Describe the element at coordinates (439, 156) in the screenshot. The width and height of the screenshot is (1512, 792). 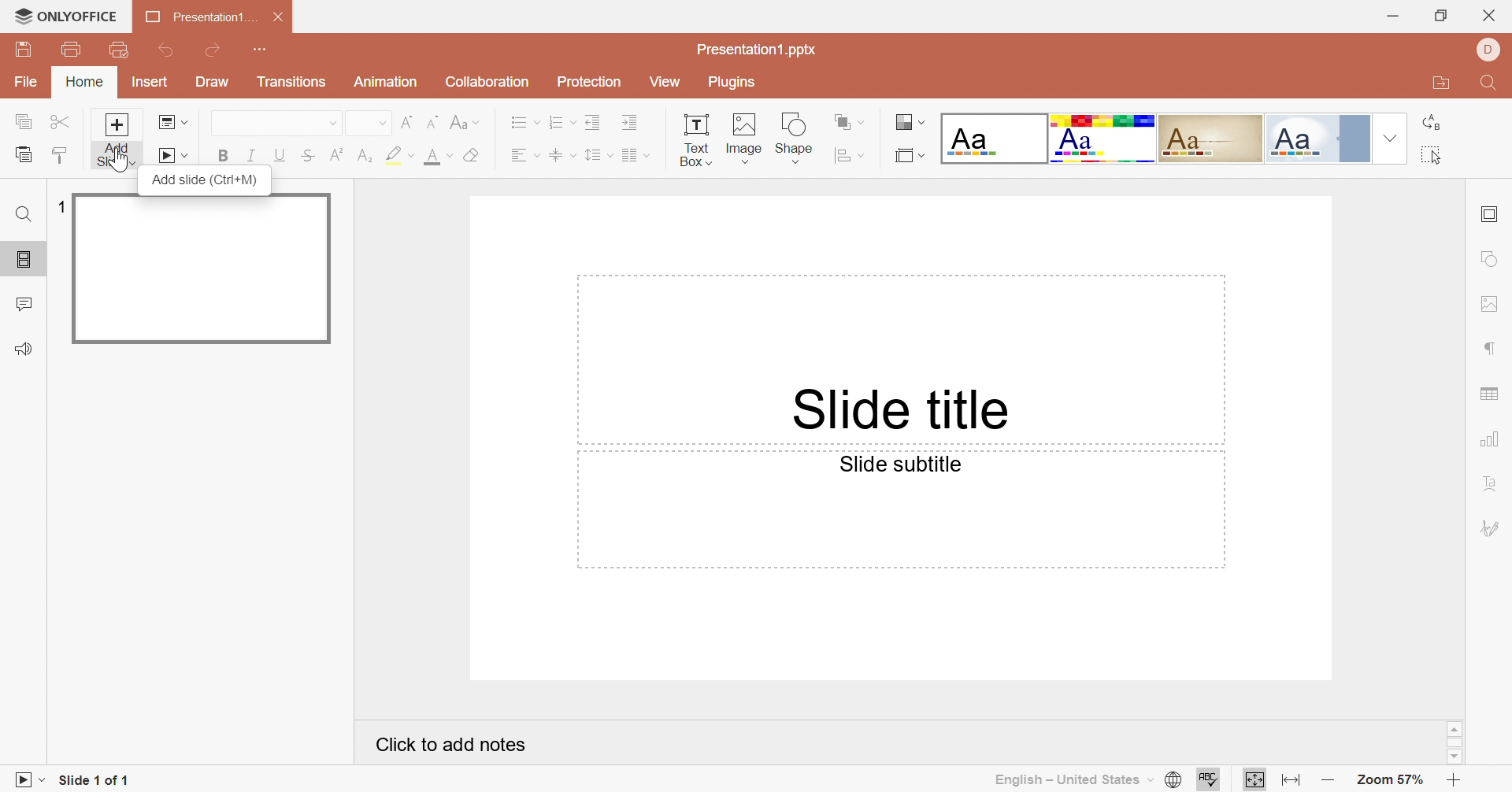
I see `Font color` at that location.